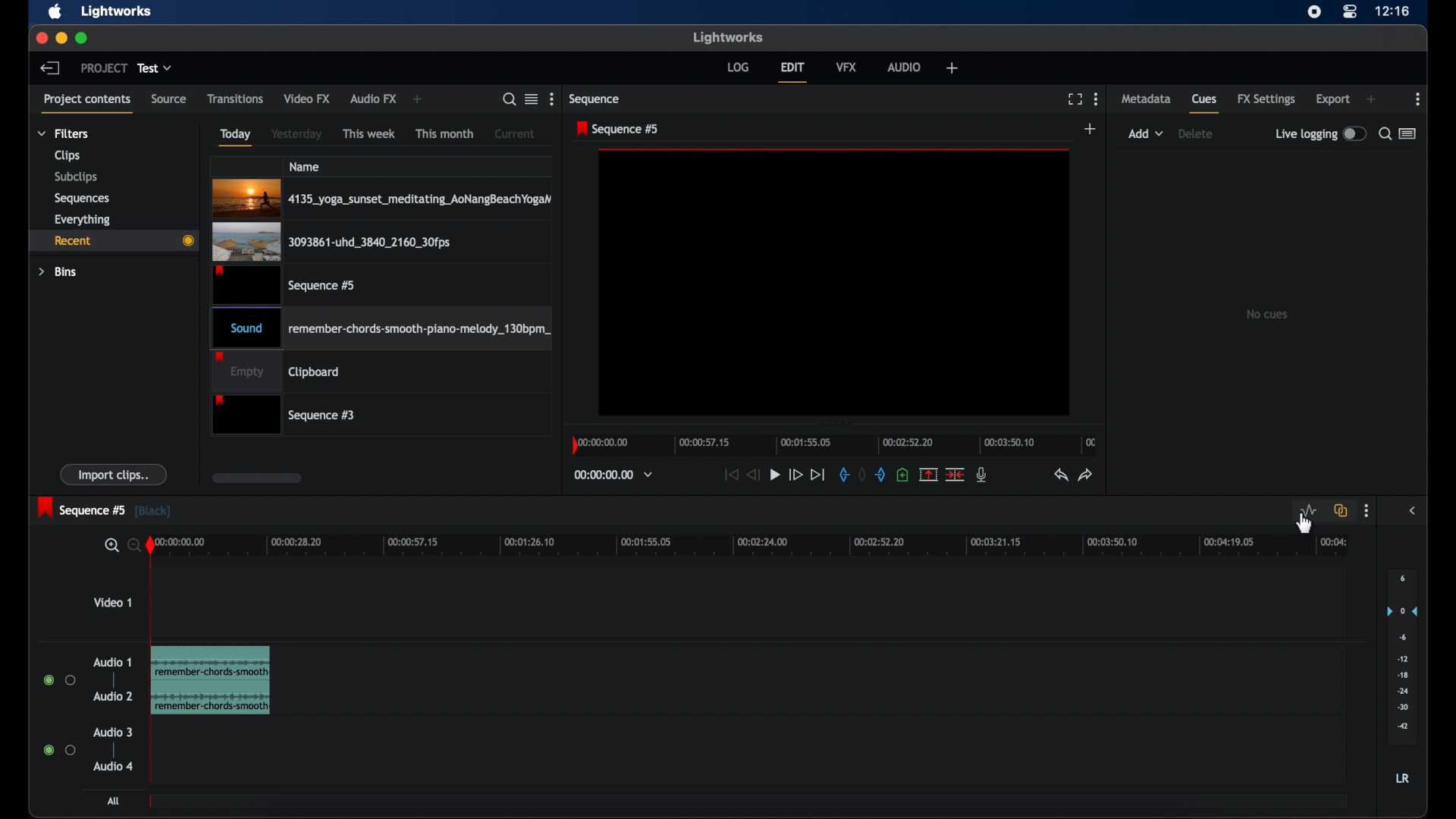 This screenshot has height=819, width=1456. What do you see at coordinates (120, 546) in the screenshot?
I see `search` at bounding box center [120, 546].